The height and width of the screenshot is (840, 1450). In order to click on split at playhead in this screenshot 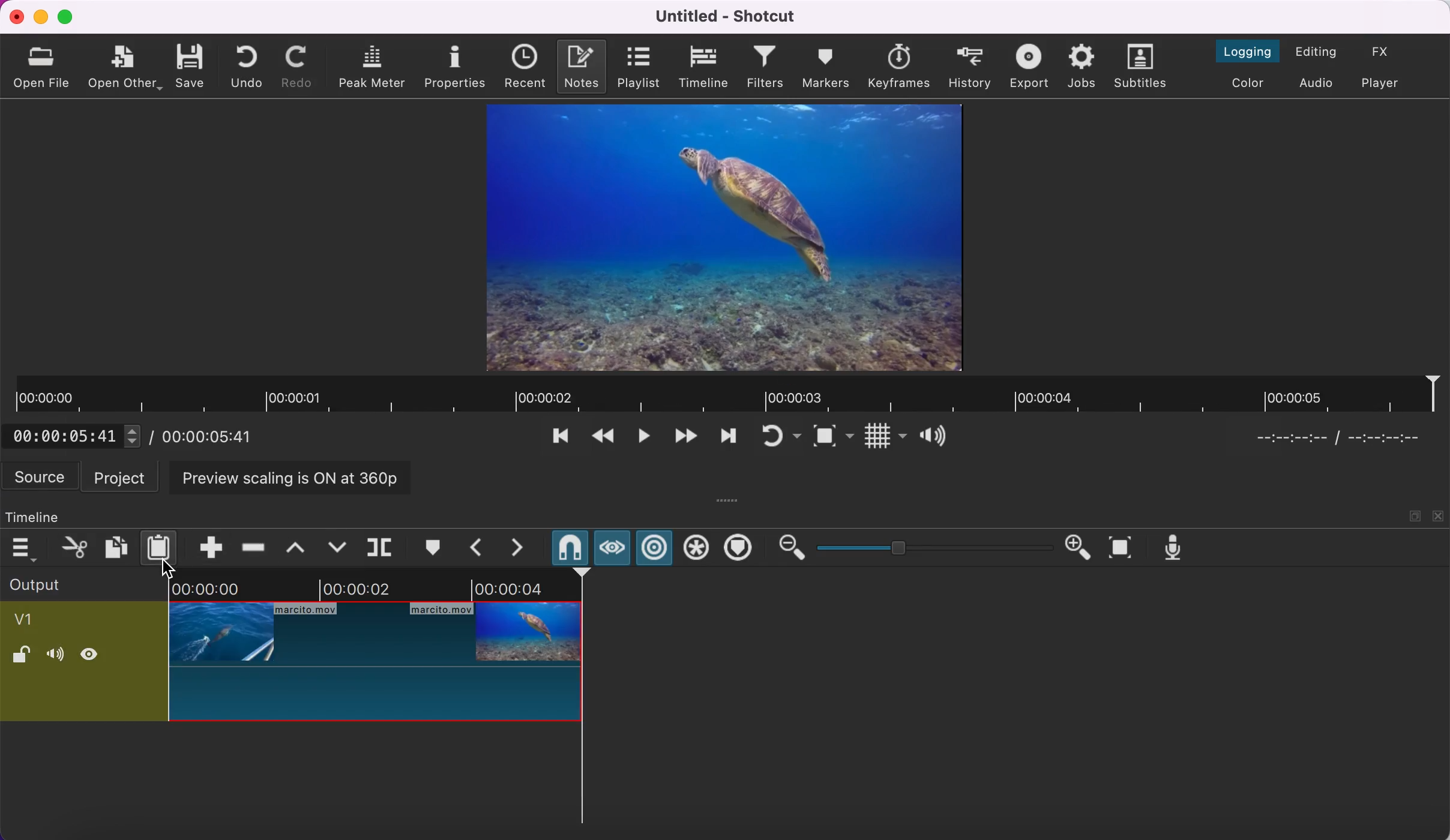, I will do `click(380, 547)`.